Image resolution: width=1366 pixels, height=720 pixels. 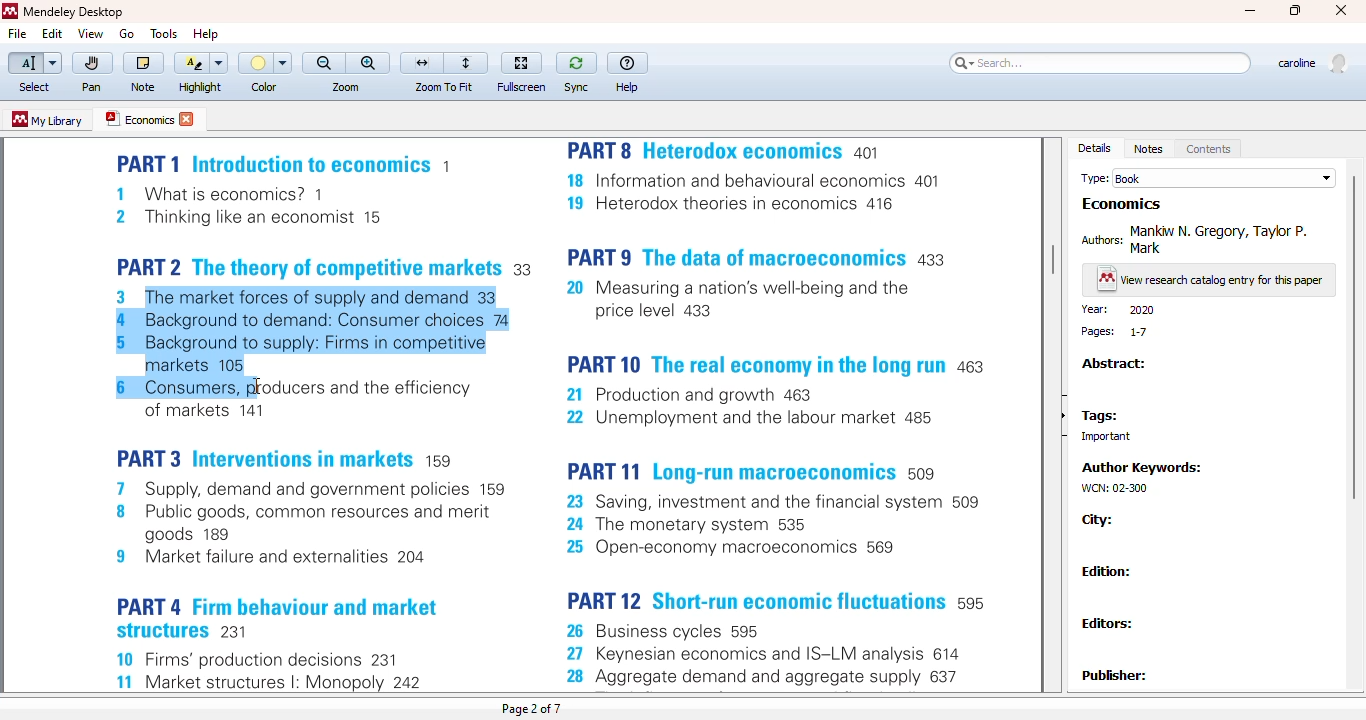 What do you see at coordinates (443, 87) in the screenshot?
I see `zoom to fit` at bounding box center [443, 87].